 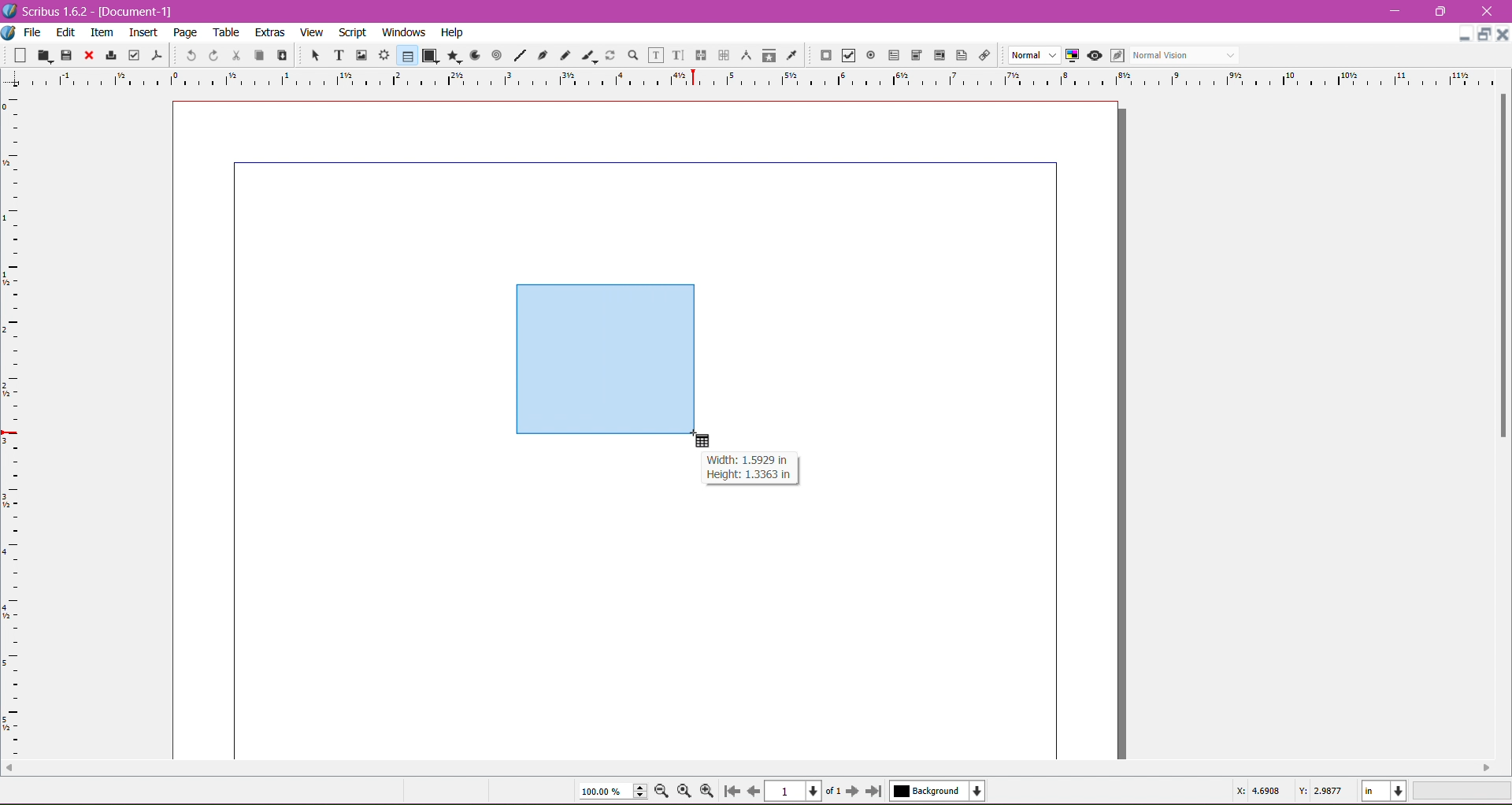 What do you see at coordinates (159, 52) in the screenshot?
I see `Save as PDF` at bounding box center [159, 52].